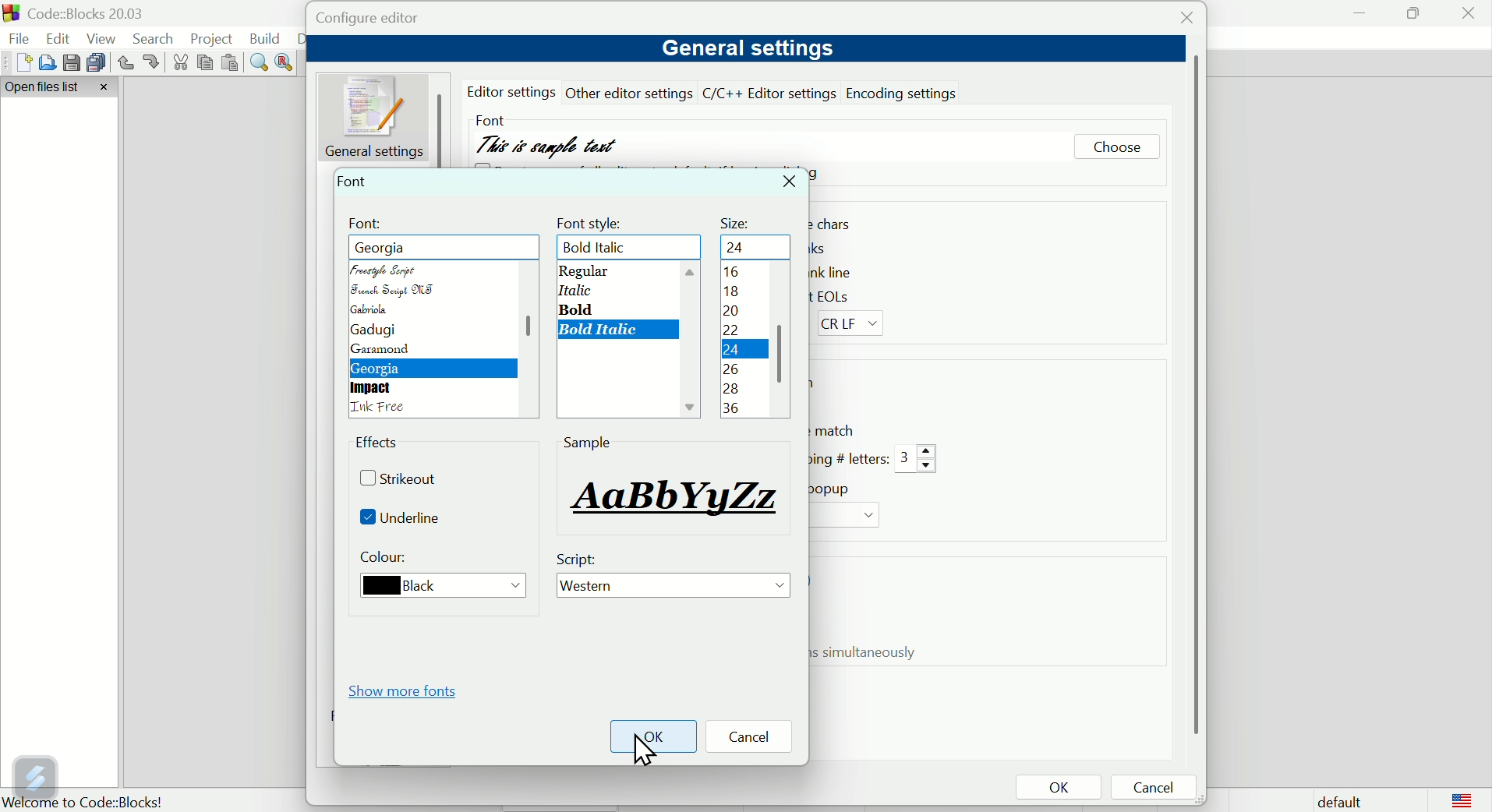 Image resolution: width=1492 pixels, height=812 pixels. Describe the element at coordinates (730, 274) in the screenshot. I see `16` at that location.